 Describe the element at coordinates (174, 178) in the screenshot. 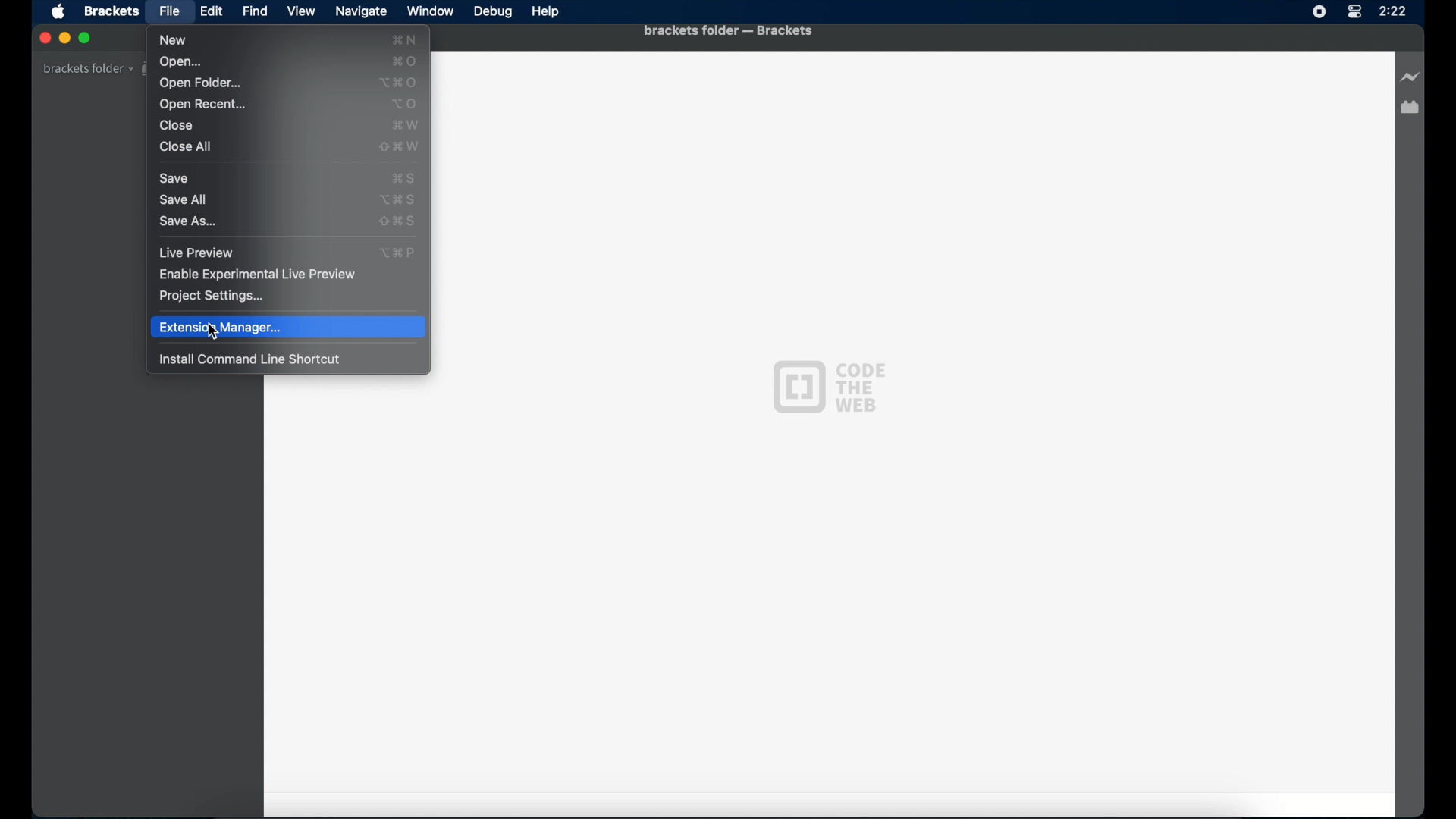

I see `save` at that location.